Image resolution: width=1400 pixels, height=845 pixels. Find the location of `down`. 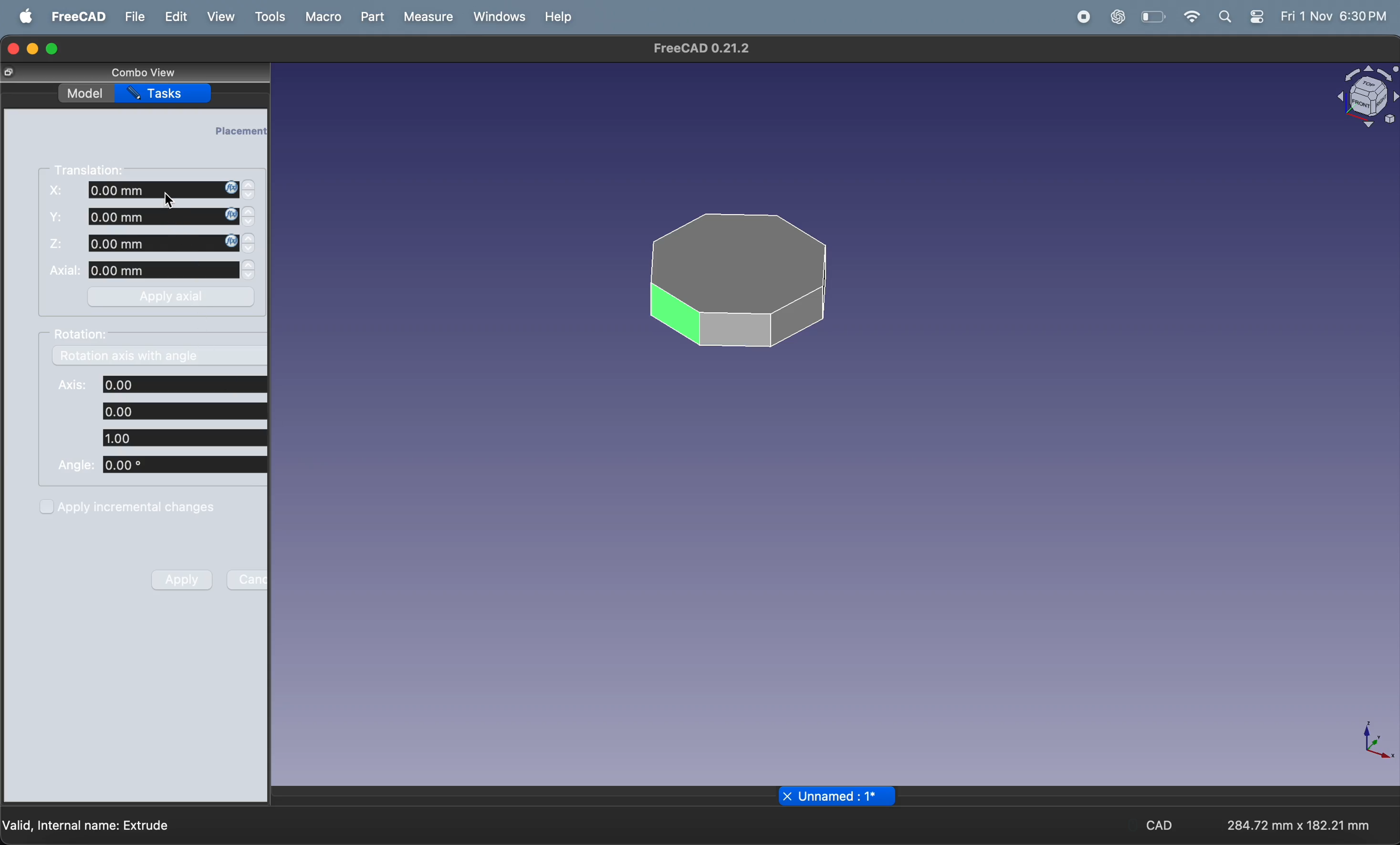

down is located at coordinates (250, 277).